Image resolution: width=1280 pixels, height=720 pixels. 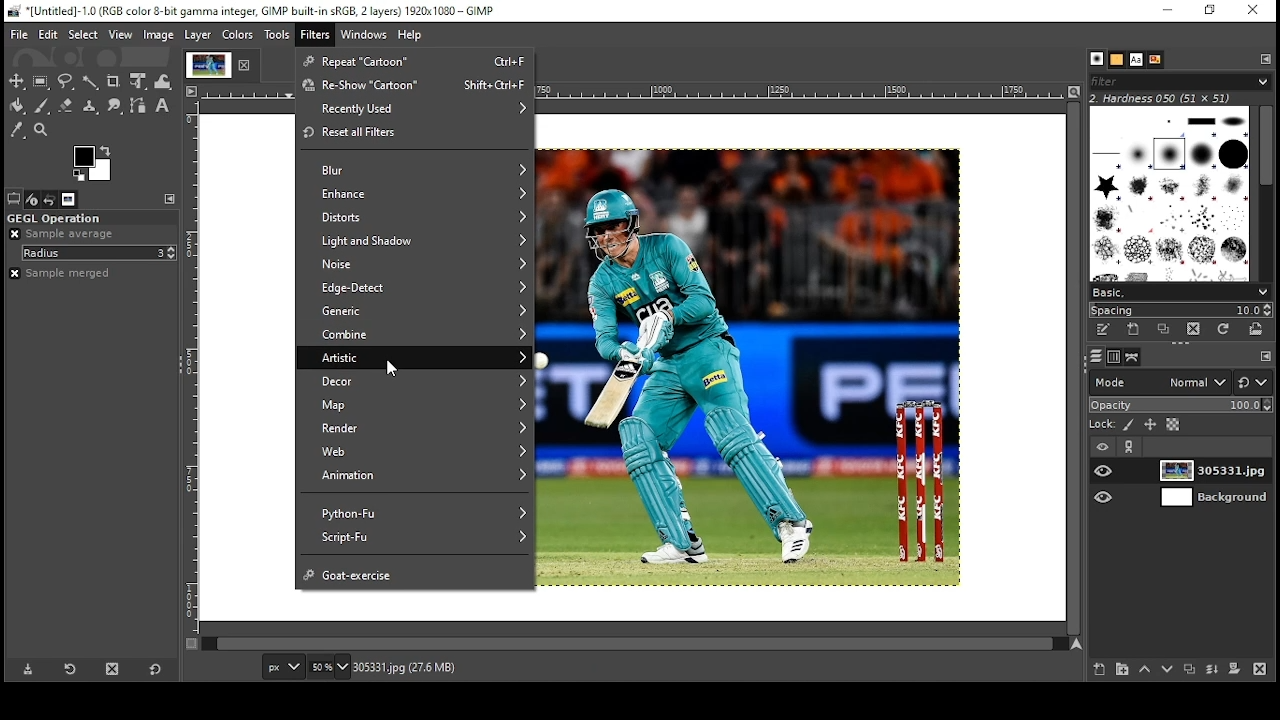 What do you see at coordinates (1072, 367) in the screenshot?
I see `scroll bar` at bounding box center [1072, 367].